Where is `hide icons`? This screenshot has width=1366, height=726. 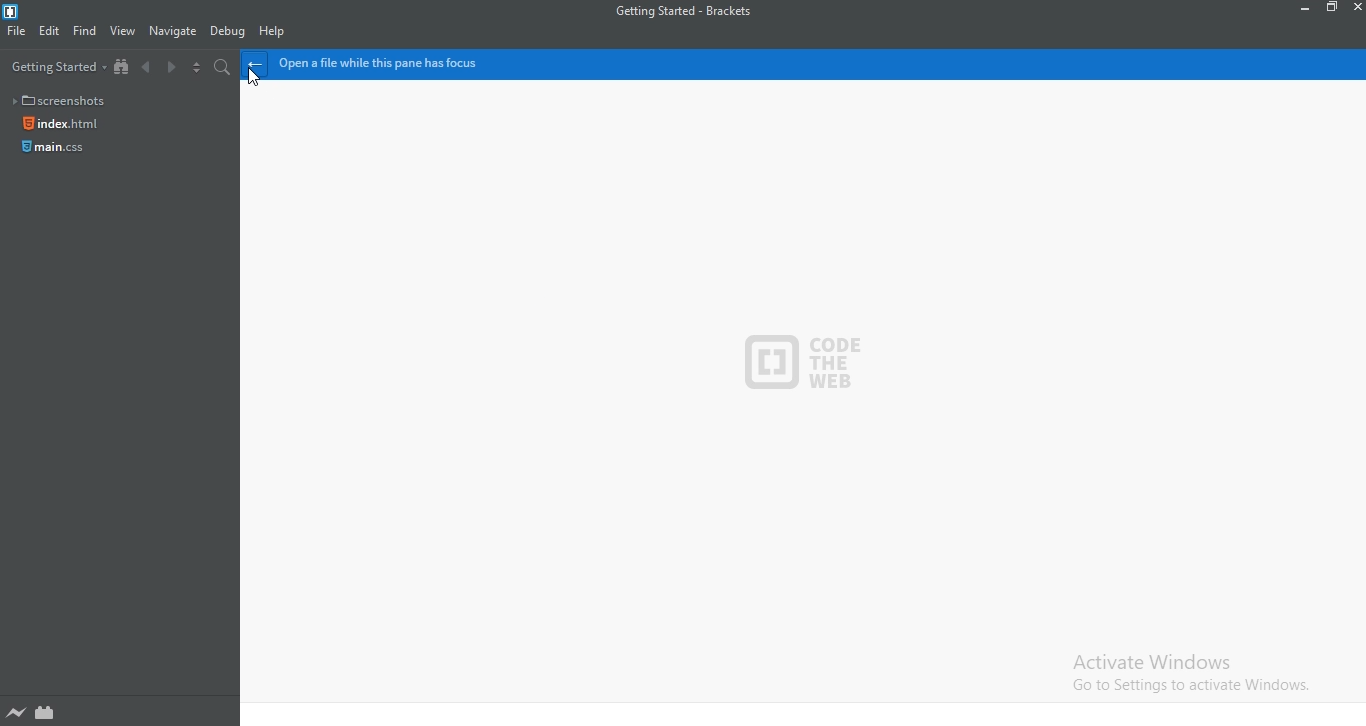
hide icons is located at coordinates (256, 65).